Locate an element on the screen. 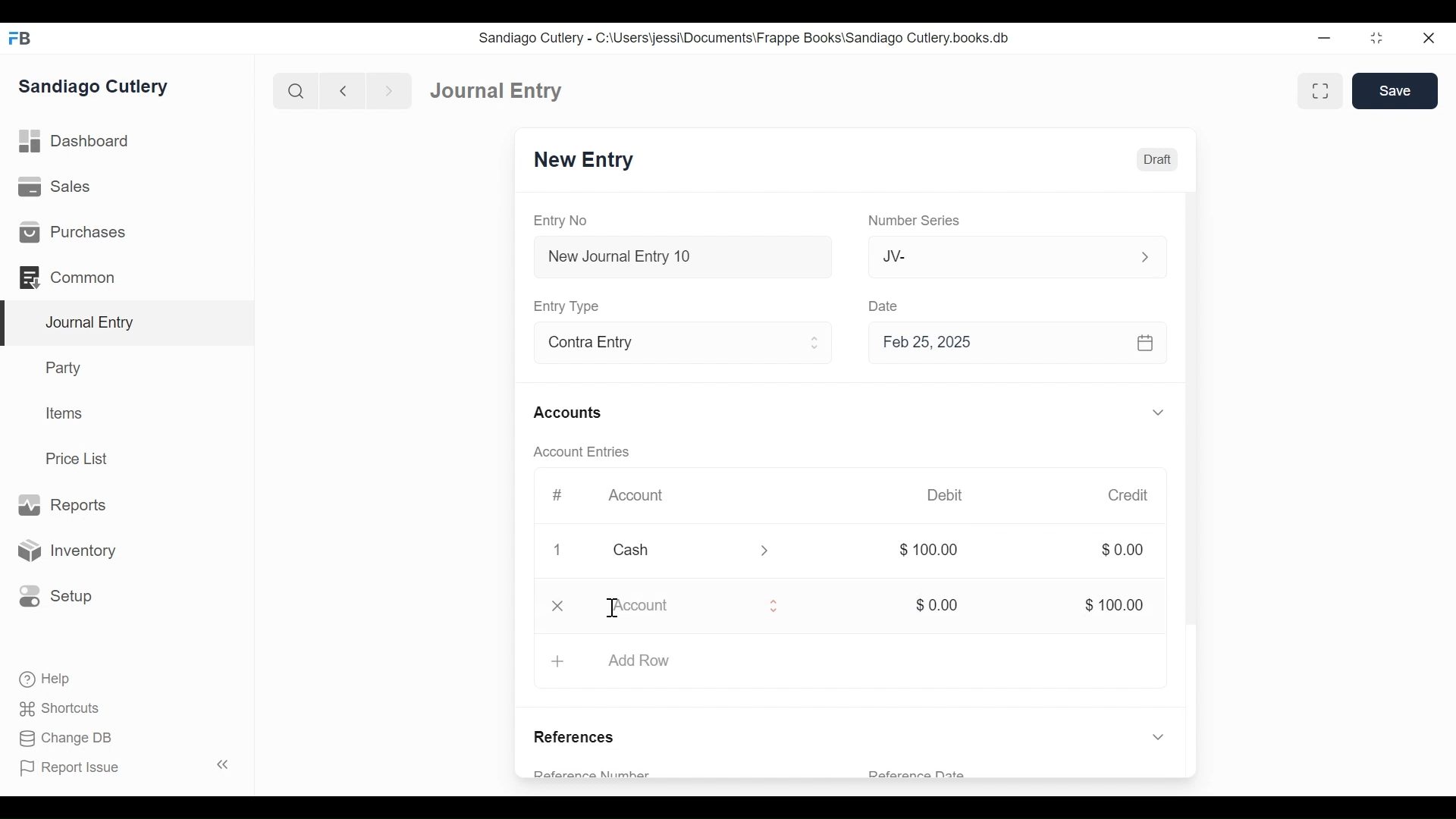 Image resolution: width=1456 pixels, height=819 pixels. Save is located at coordinates (1395, 91).